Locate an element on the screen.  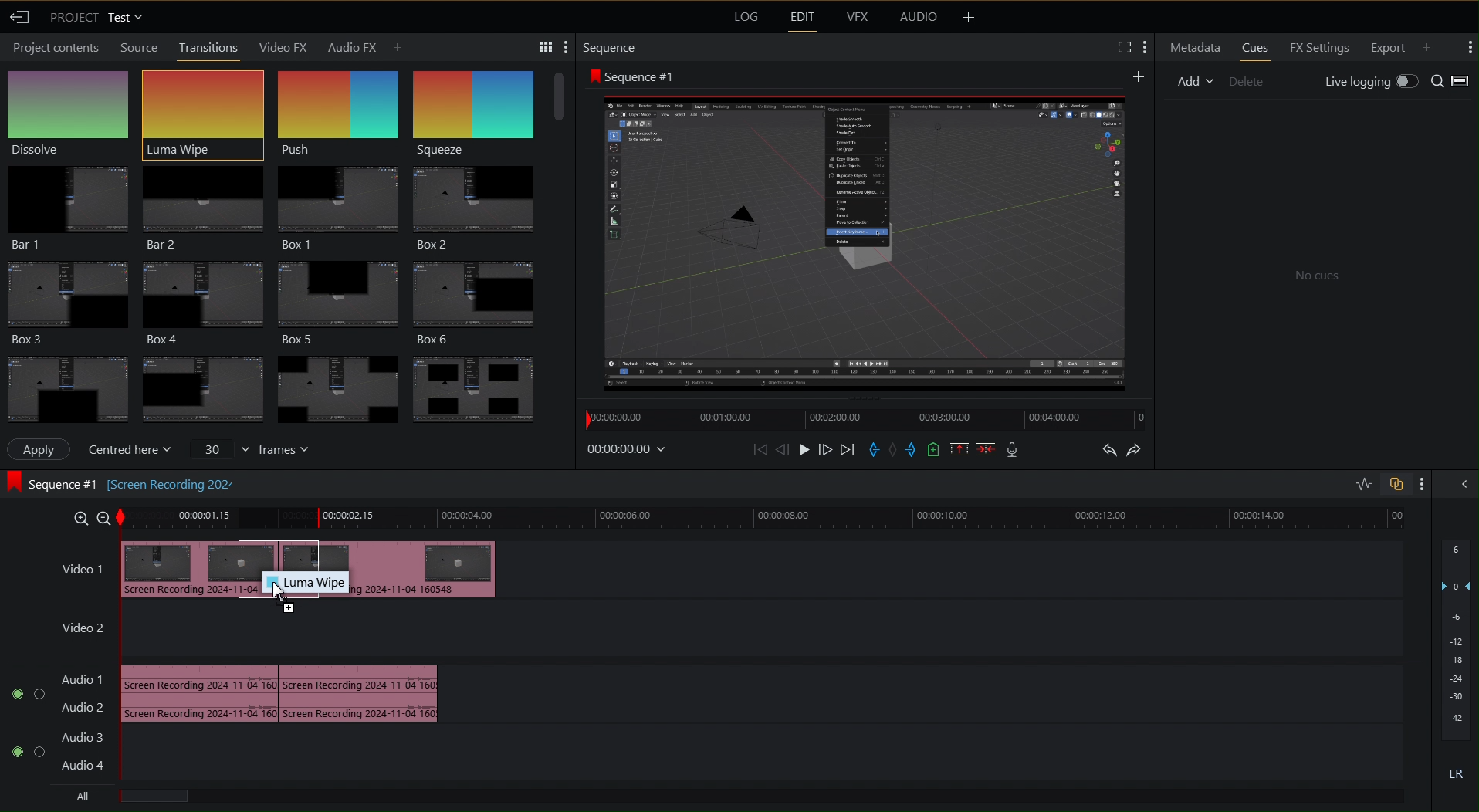
More is located at coordinates (1421, 485).